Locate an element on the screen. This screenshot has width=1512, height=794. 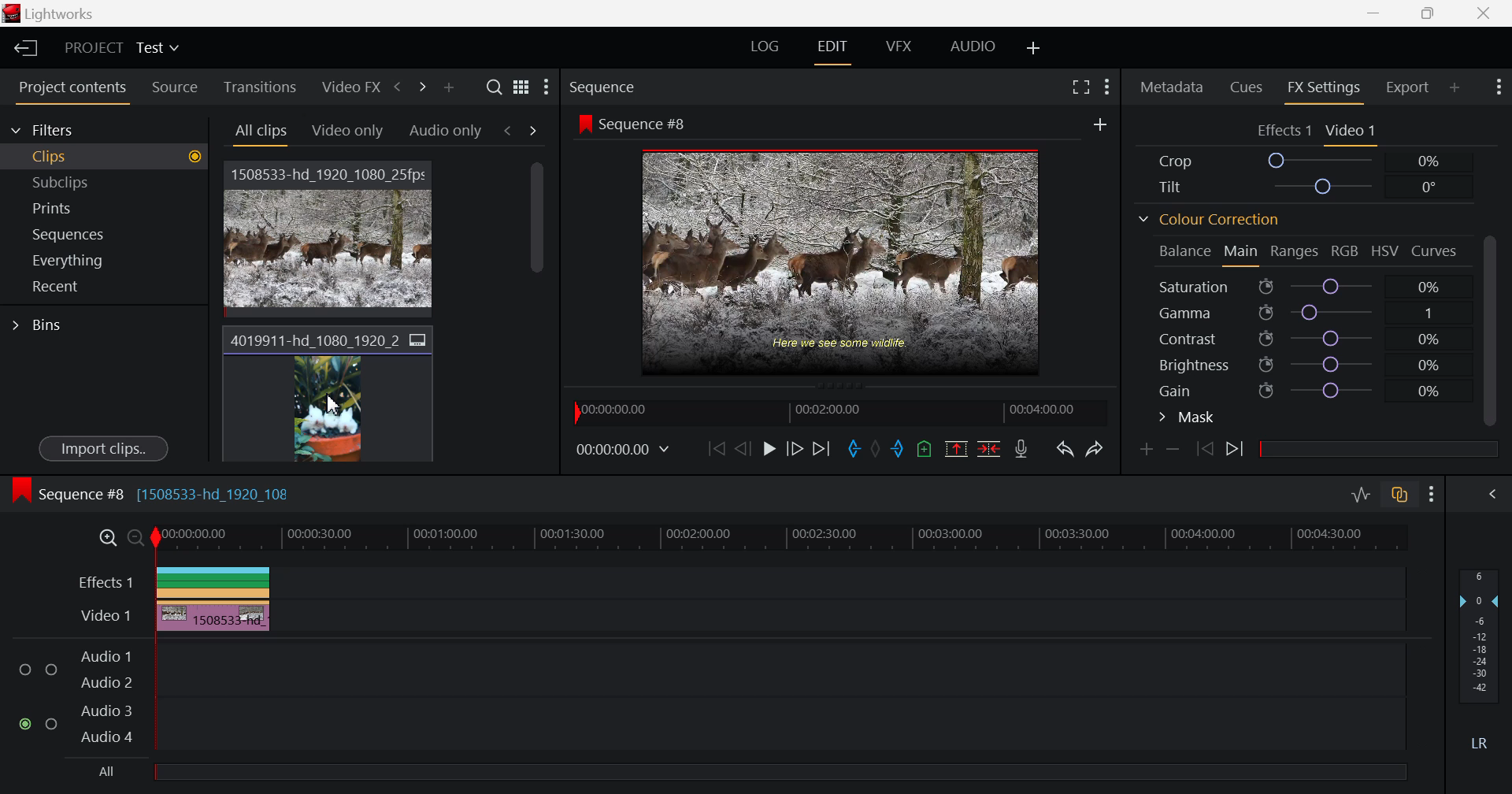
Contrast is located at coordinates (1307, 336).